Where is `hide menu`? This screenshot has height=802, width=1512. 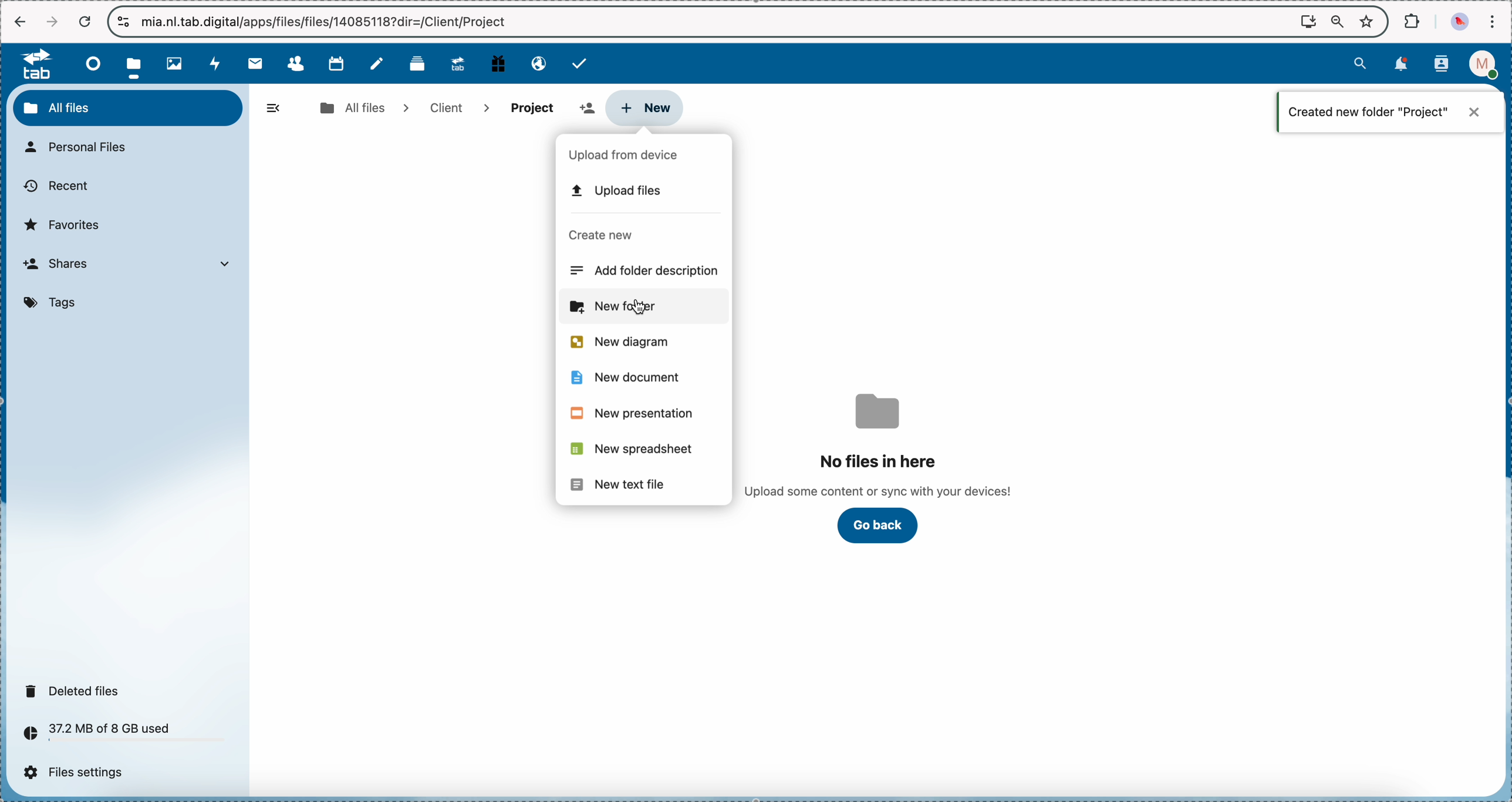 hide menu is located at coordinates (274, 109).